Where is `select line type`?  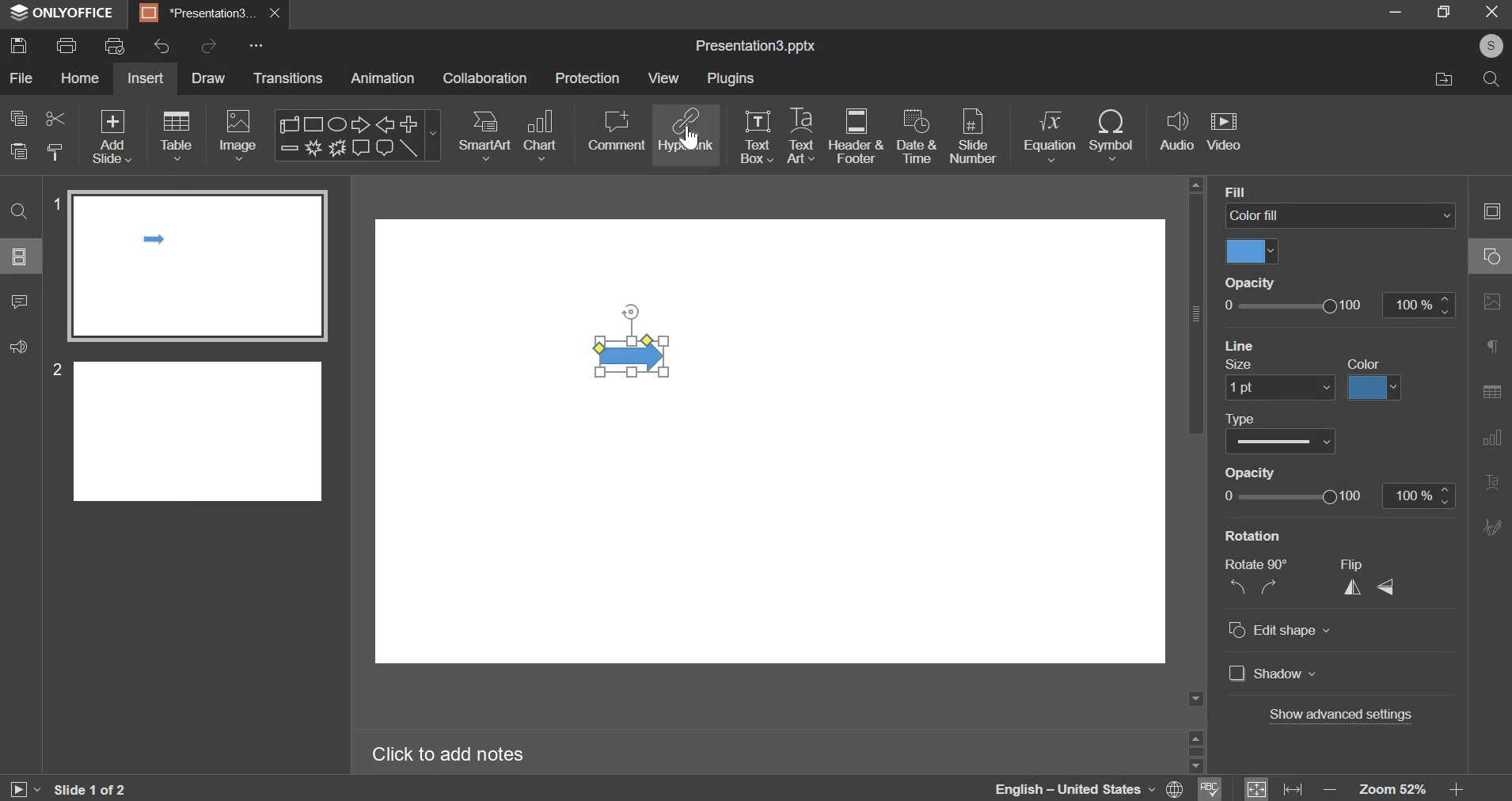 select line type is located at coordinates (1280, 441).